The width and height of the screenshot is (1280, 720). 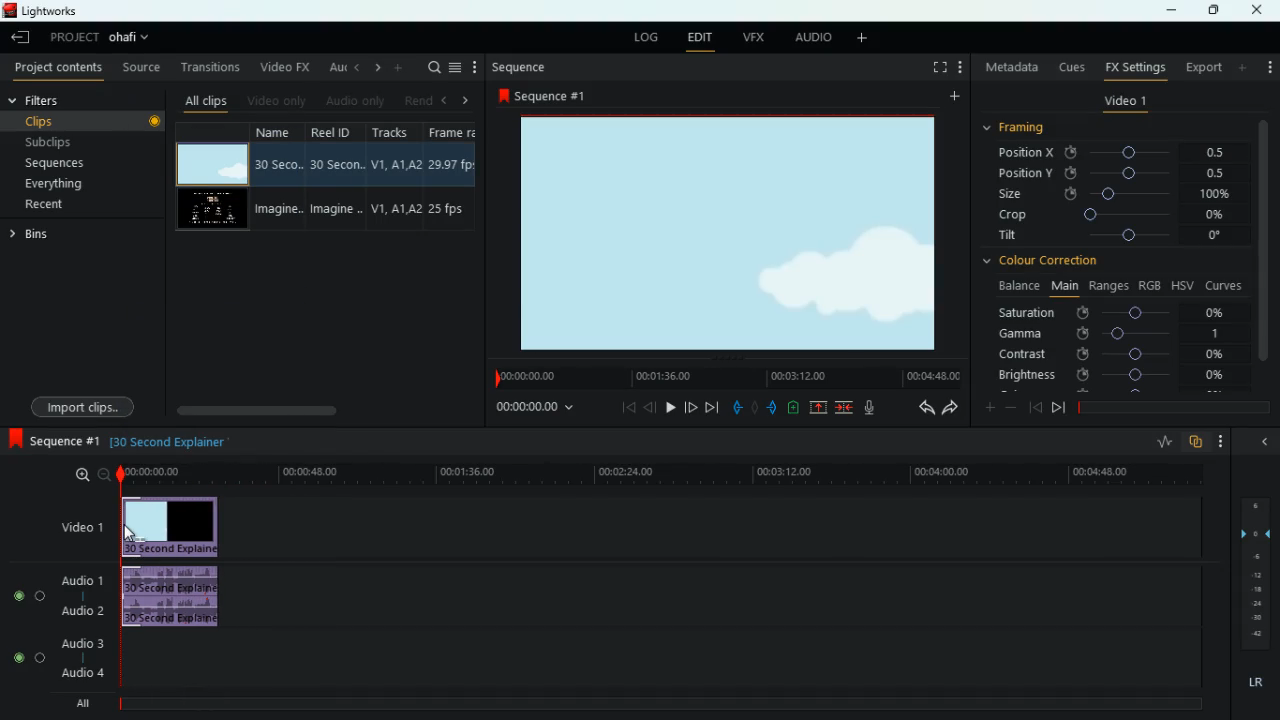 I want to click on maximize, so click(x=1212, y=10).